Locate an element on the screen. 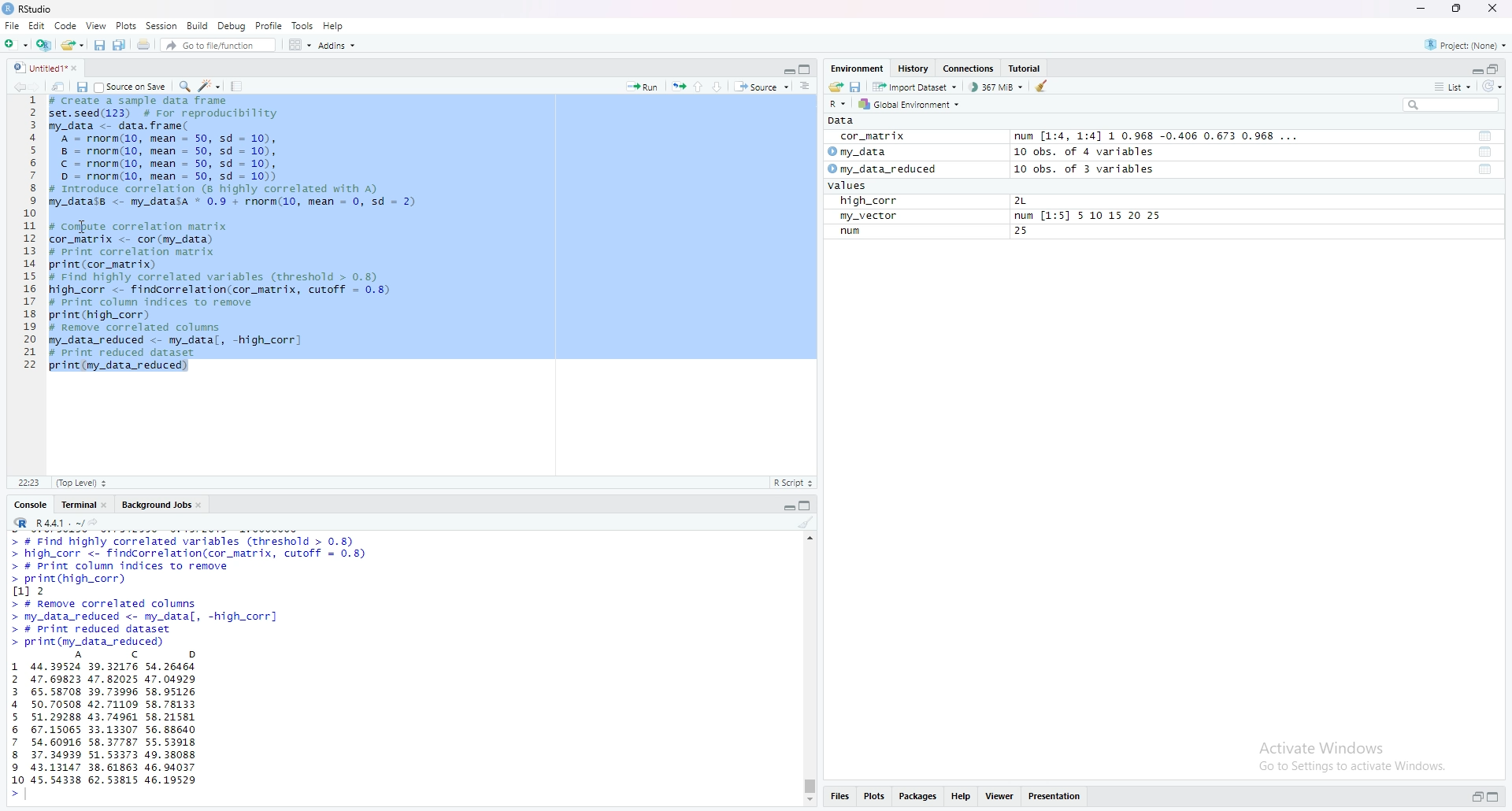  Collapse is located at coordinates (787, 71).